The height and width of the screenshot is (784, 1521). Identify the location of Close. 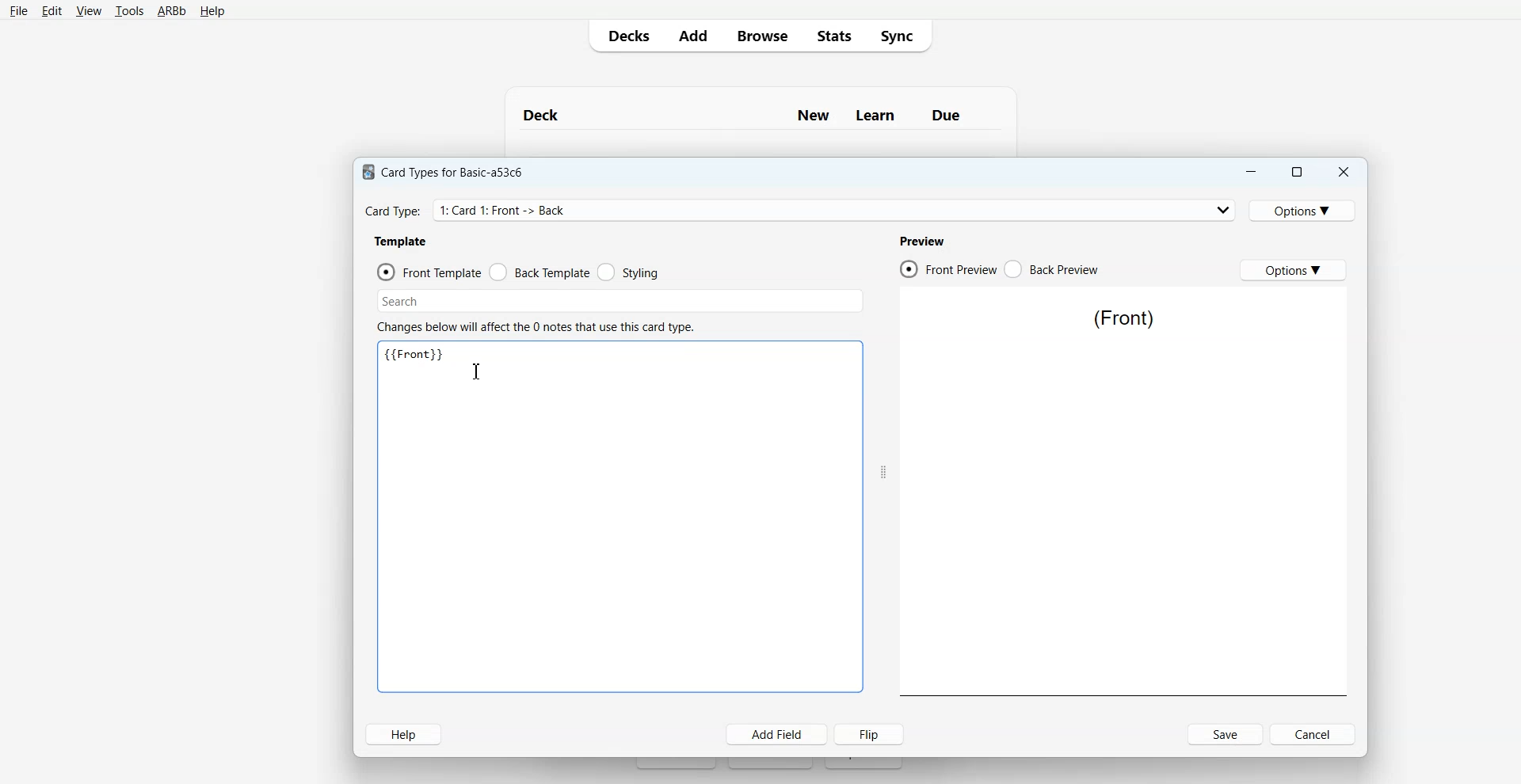
(1343, 173).